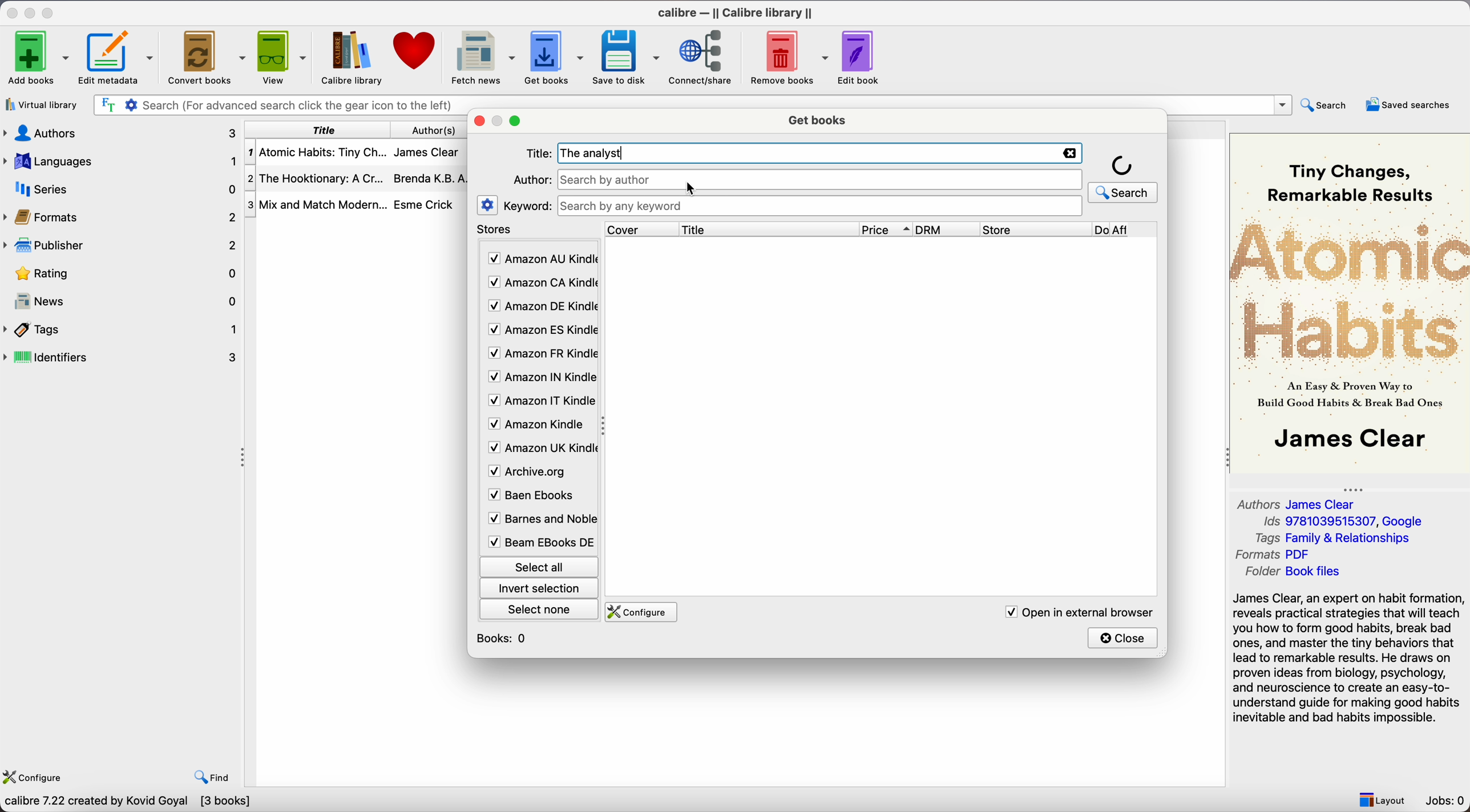  Describe the element at coordinates (692, 189) in the screenshot. I see `cursor` at that location.